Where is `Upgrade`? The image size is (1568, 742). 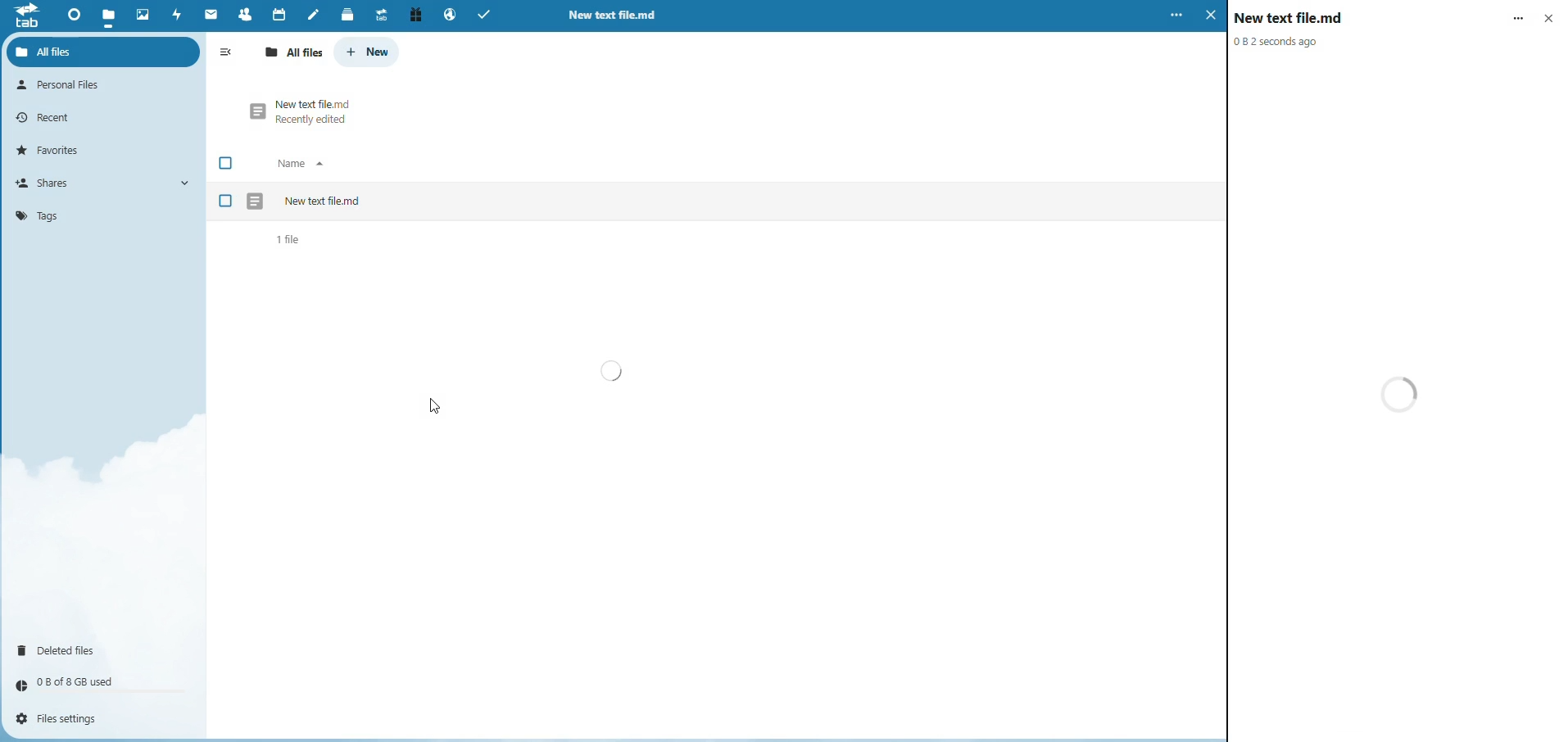 Upgrade is located at coordinates (380, 15).